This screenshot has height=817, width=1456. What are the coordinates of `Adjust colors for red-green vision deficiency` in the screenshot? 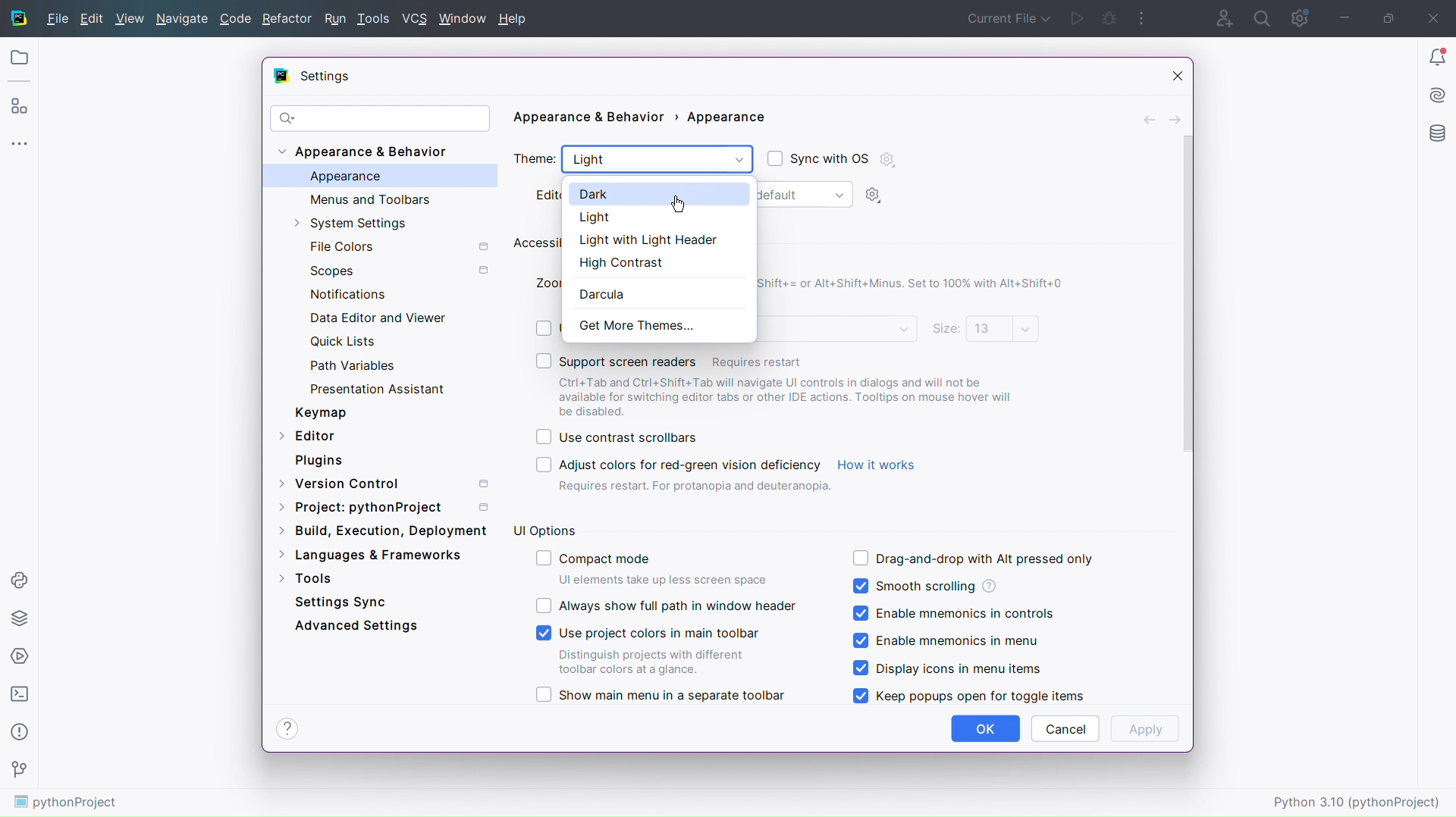 It's located at (670, 465).